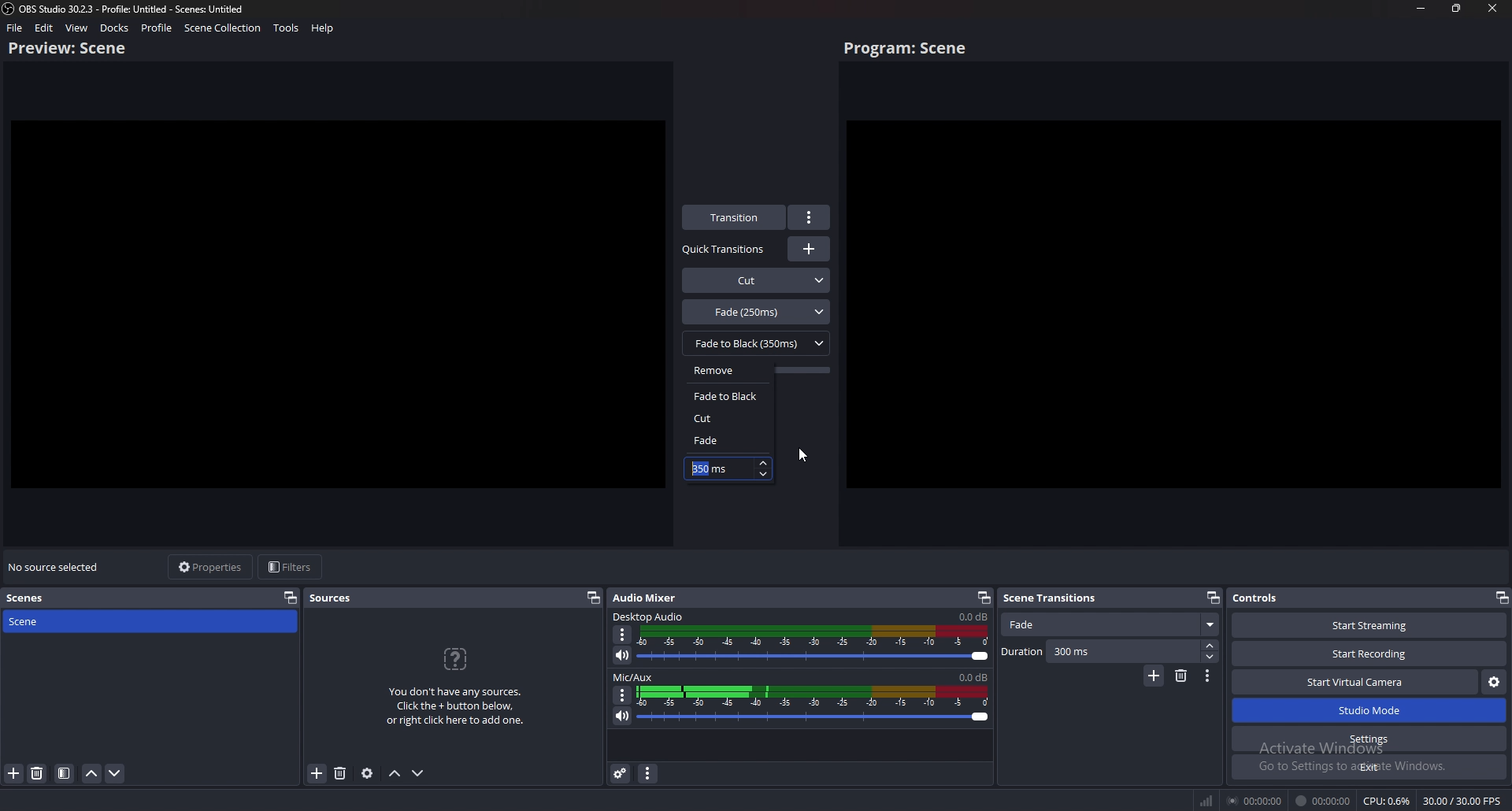  I want to click on Mute, so click(624, 656).